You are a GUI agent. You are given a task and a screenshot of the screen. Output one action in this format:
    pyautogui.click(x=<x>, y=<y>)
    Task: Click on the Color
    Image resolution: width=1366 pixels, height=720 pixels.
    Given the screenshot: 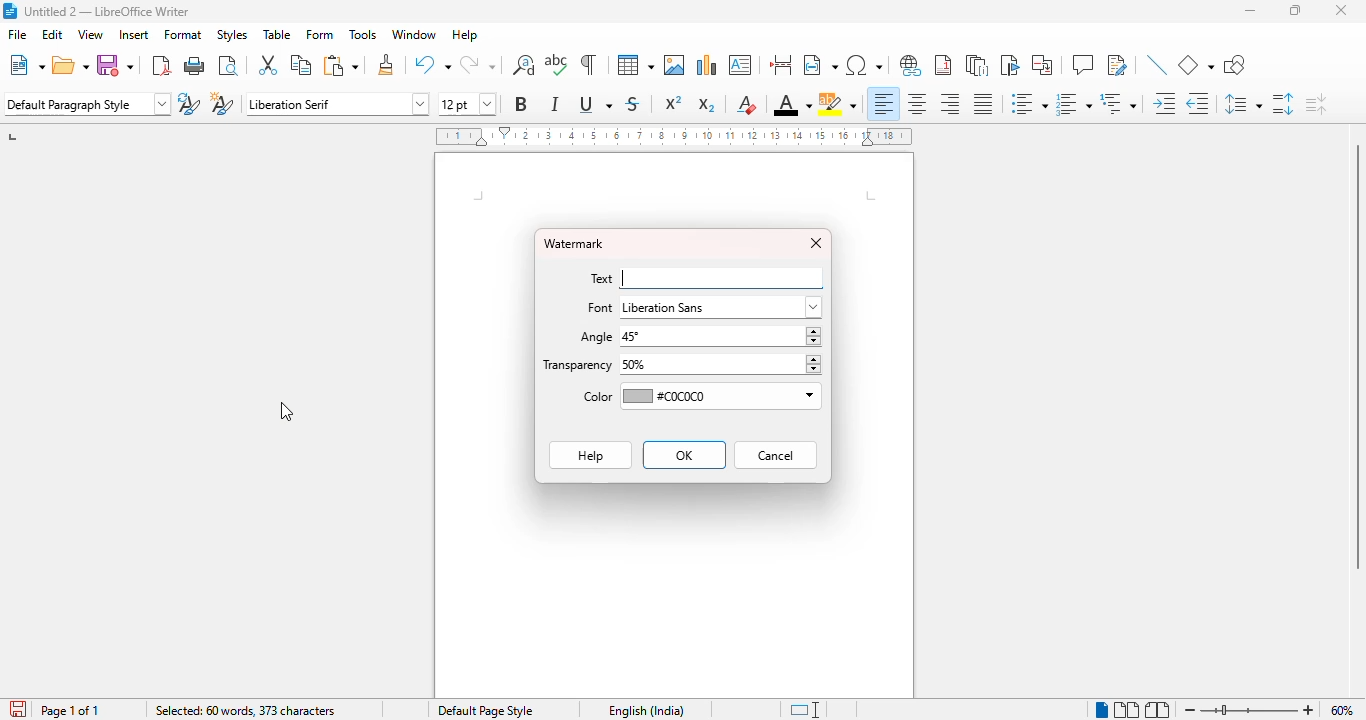 What is the action you would take?
    pyautogui.click(x=590, y=398)
    